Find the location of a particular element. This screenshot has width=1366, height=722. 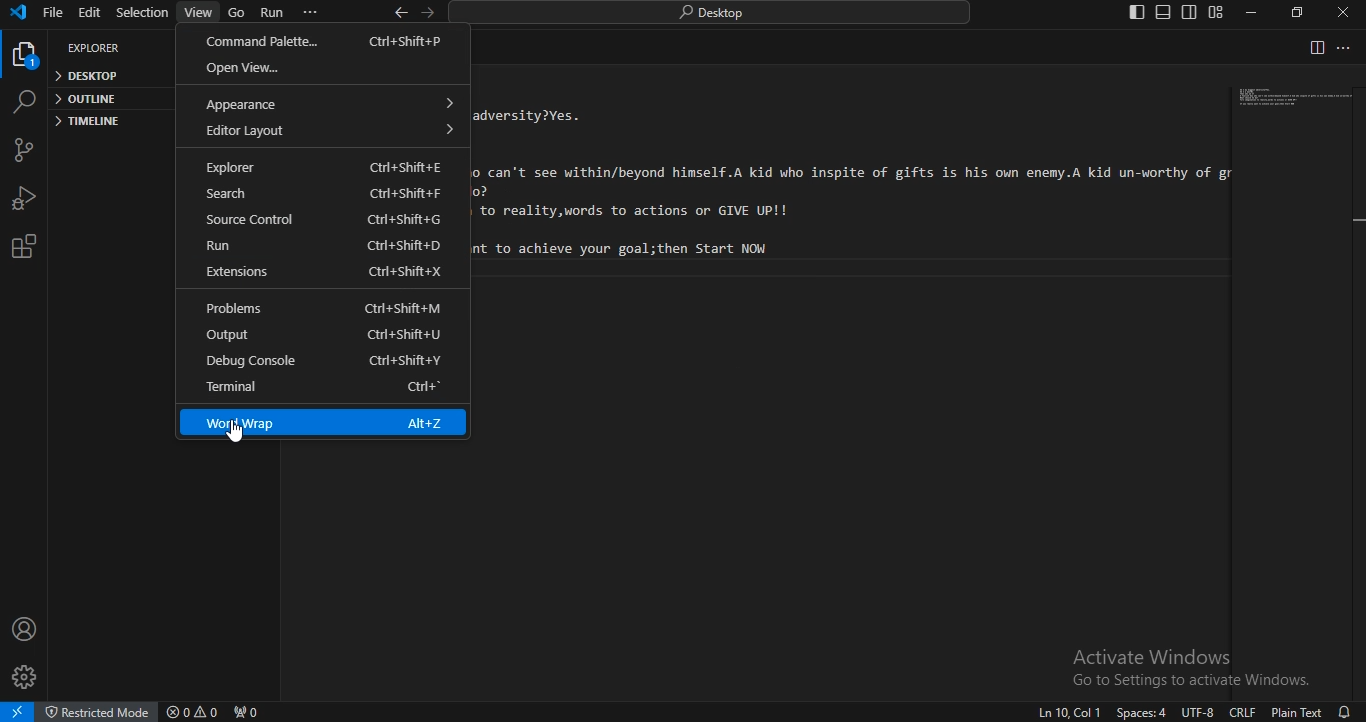

no problems is located at coordinates (191, 712).